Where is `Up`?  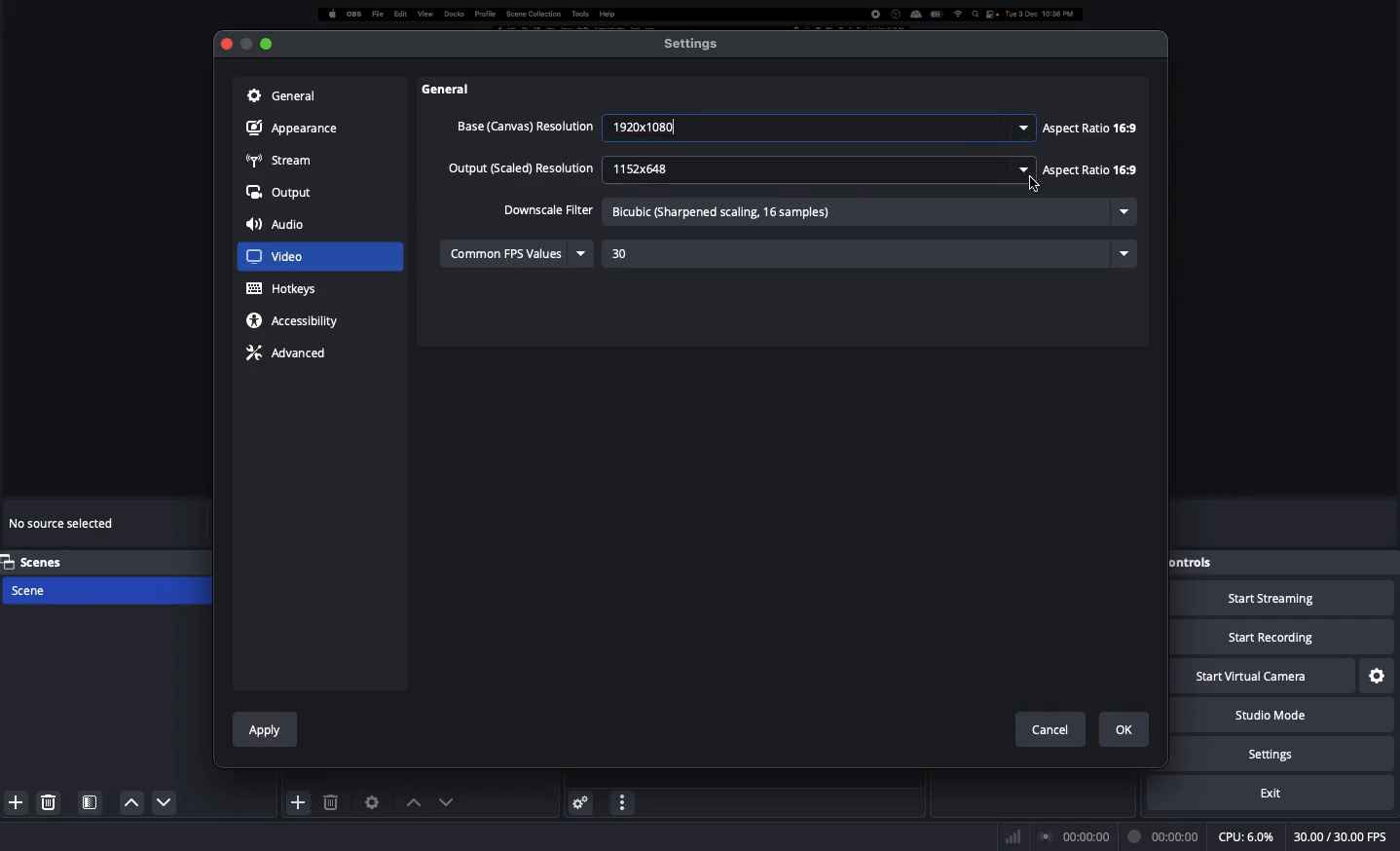 Up is located at coordinates (159, 804).